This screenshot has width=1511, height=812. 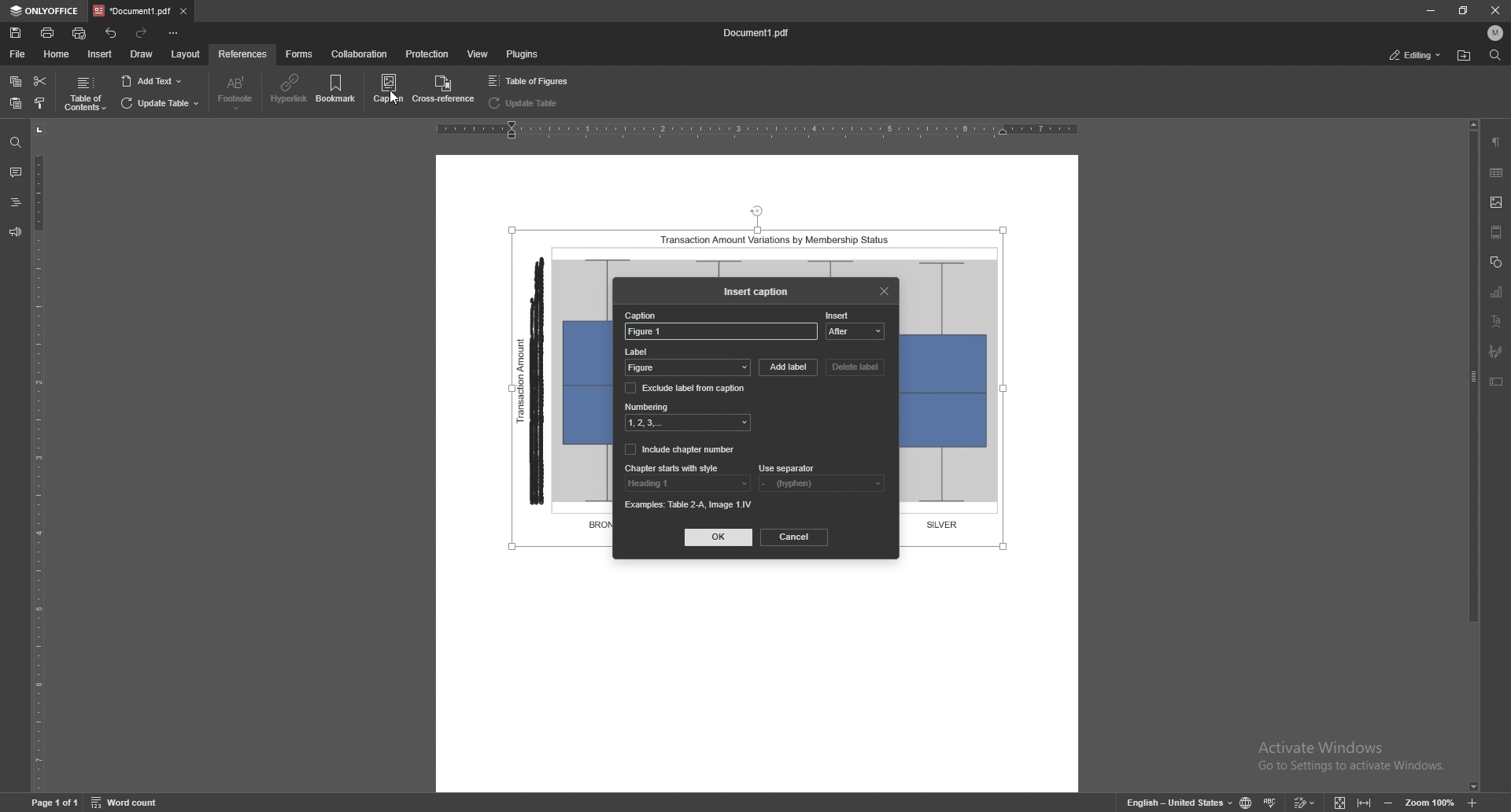 What do you see at coordinates (1496, 142) in the screenshot?
I see `paragraph` at bounding box center [1496, 142].